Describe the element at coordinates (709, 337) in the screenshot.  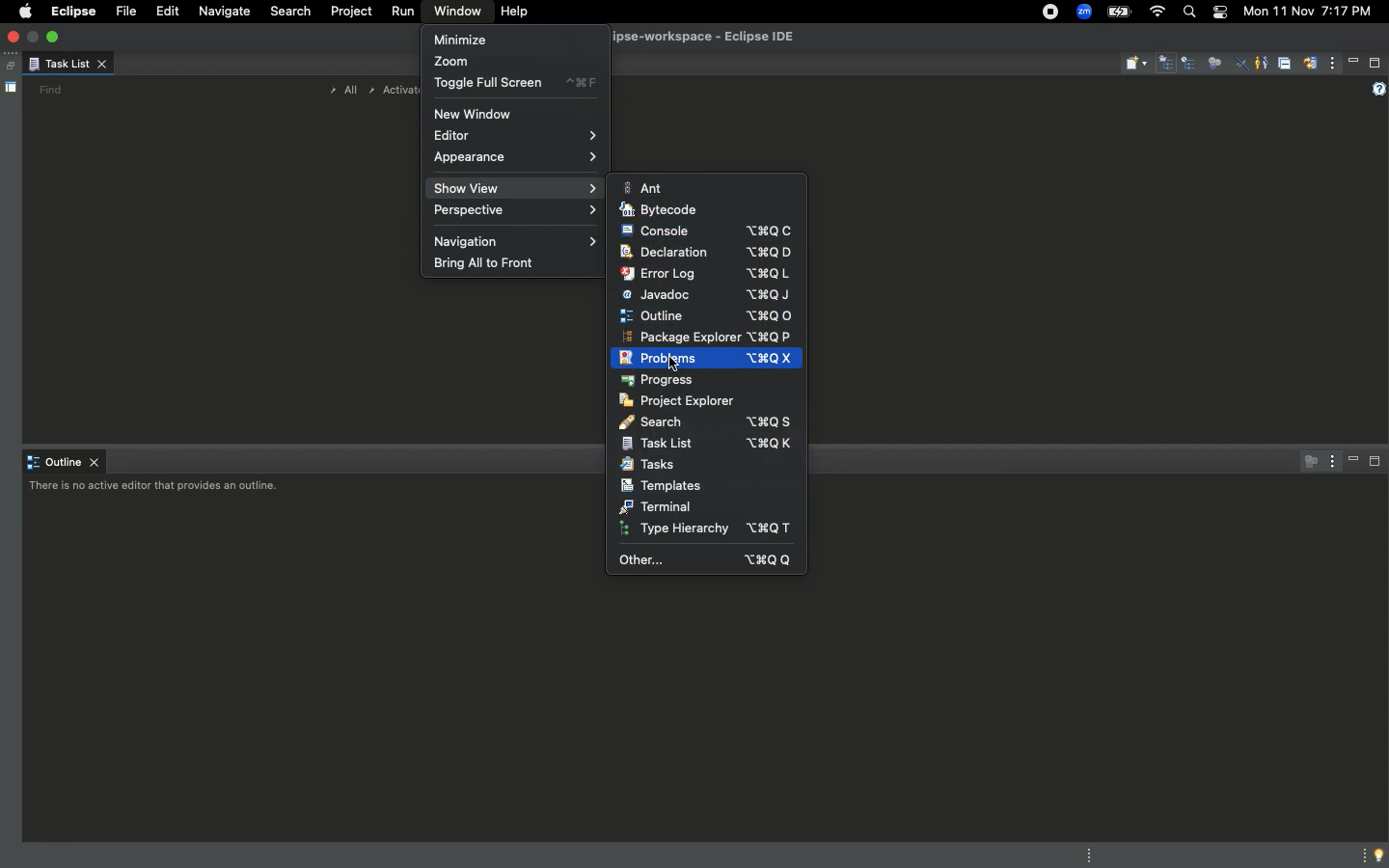
I see `Package explorer` at that location.